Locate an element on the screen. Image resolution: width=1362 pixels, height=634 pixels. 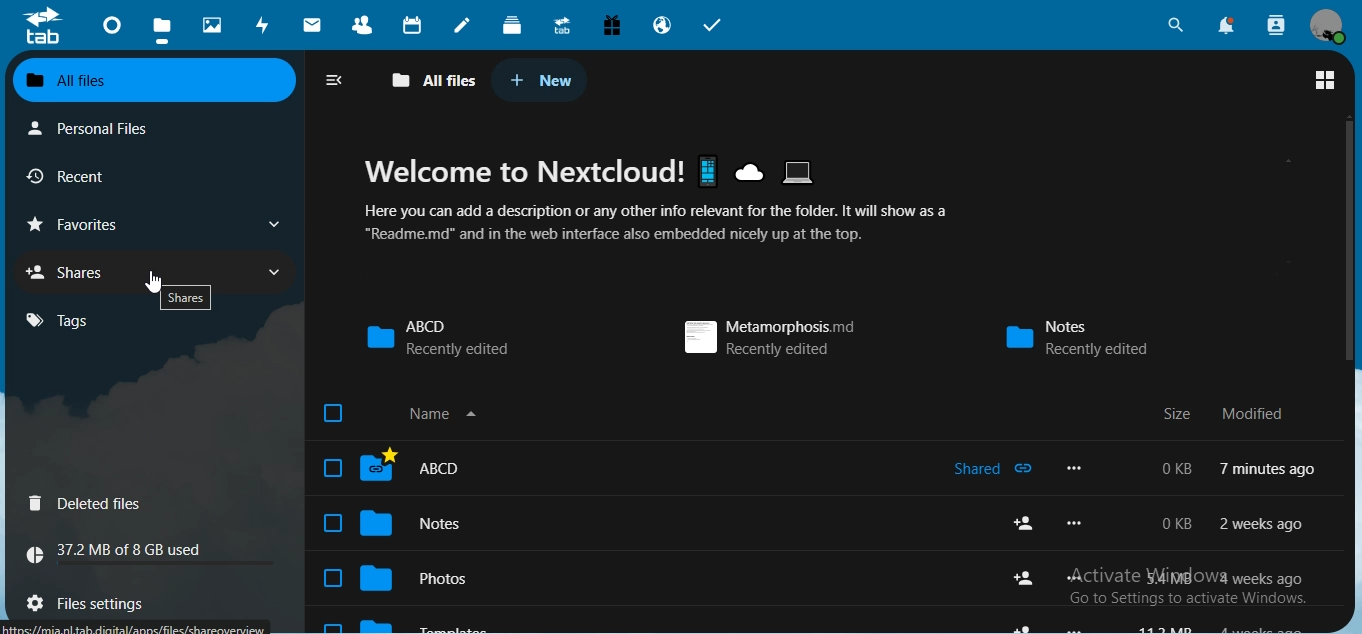
check box is located at coordinates (334, 626).